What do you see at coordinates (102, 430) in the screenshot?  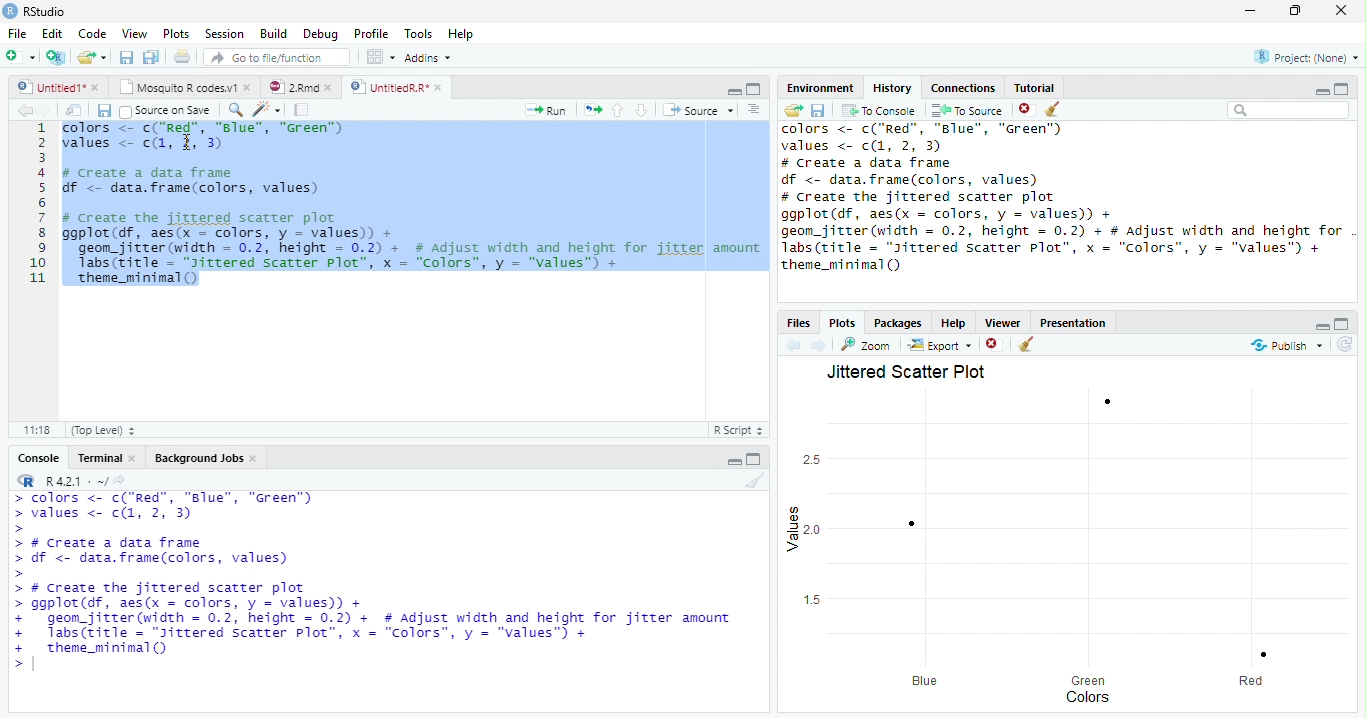 I see `(Top Level)` at bounding box center [102, 430].